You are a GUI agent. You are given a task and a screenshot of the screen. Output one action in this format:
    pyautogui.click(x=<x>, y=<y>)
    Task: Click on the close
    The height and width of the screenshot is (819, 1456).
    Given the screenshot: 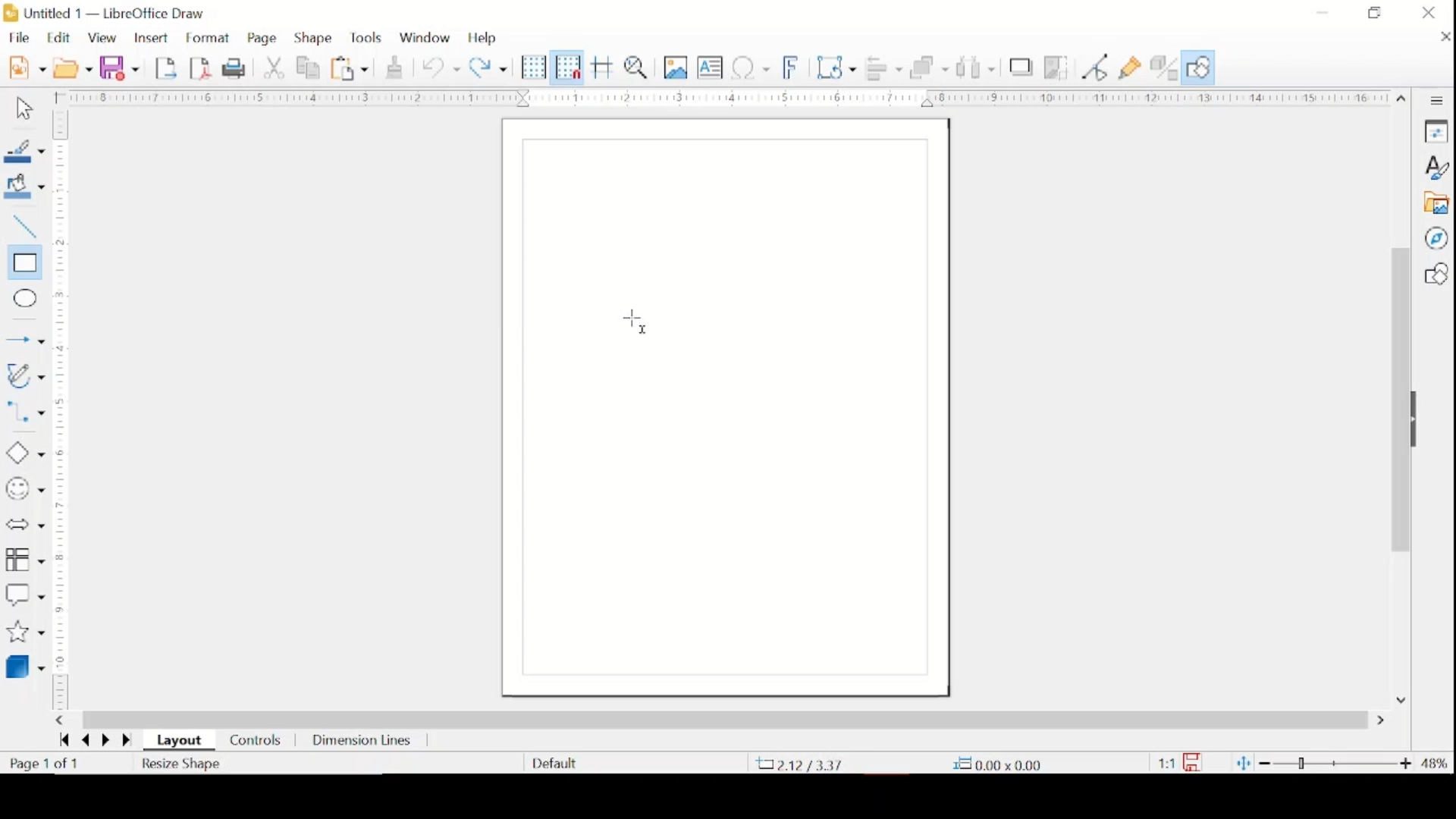 What is the action you would take?
    pyautogui.click(x=1429, y=13)
    